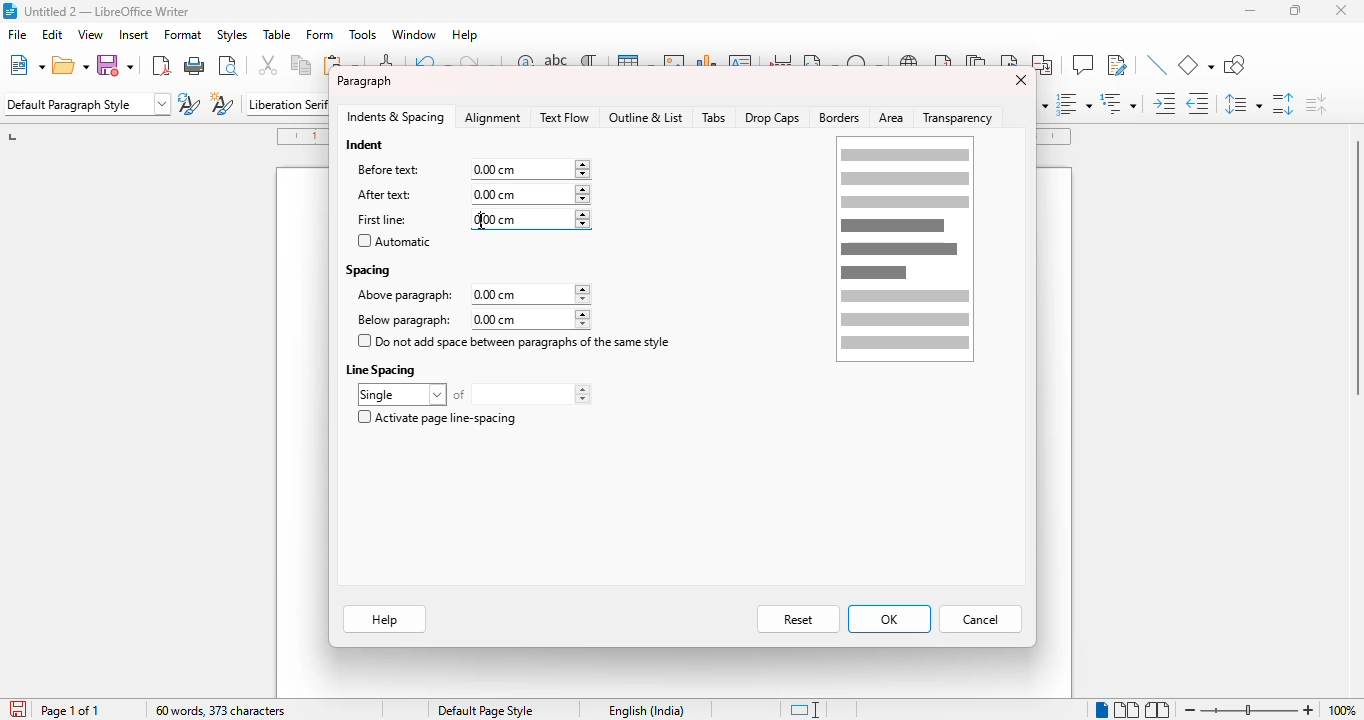 The width and height of the screenshot is (1364, 720). Describe the element at coordinates (364, 81) in the screenshot. I see `paragraph` at that location.